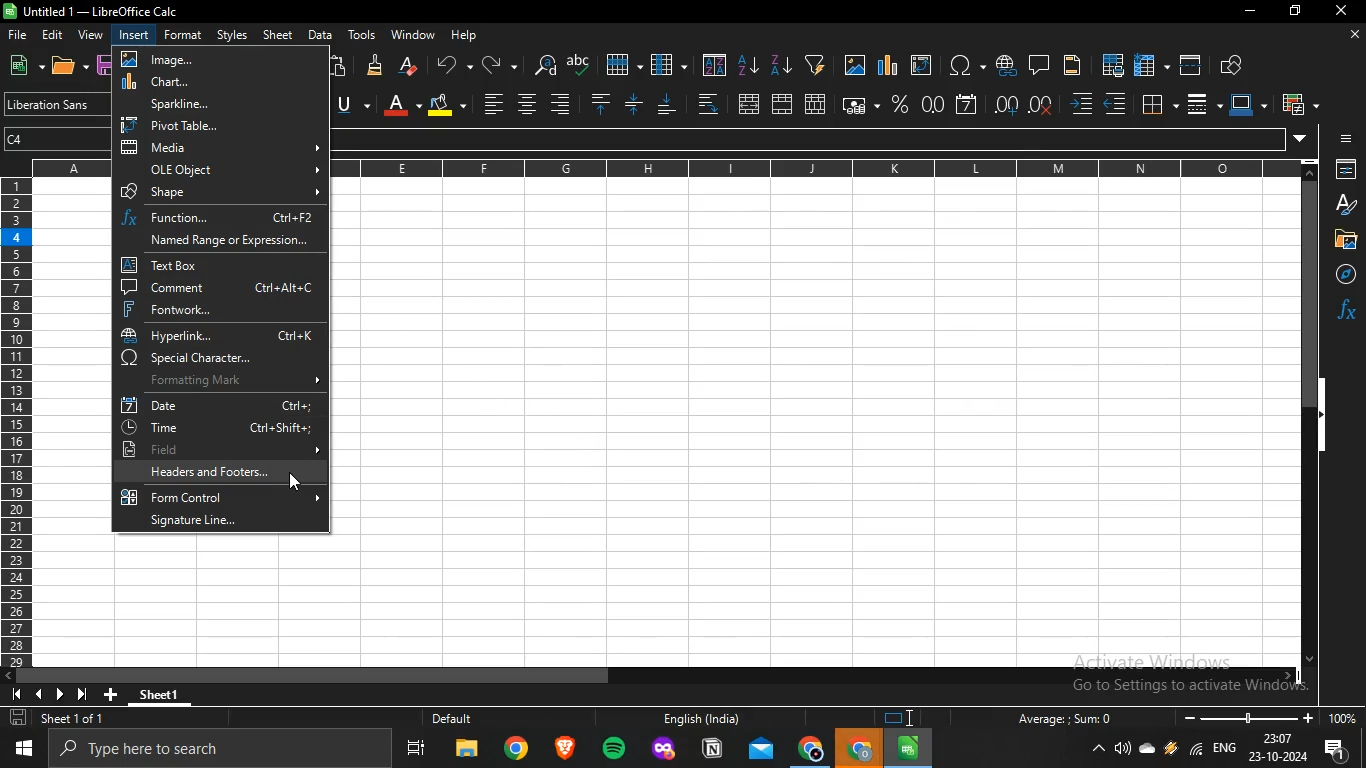 The width and height of the screenshot is (1366, 768). I want to click on new sheet, so click(115, 692).